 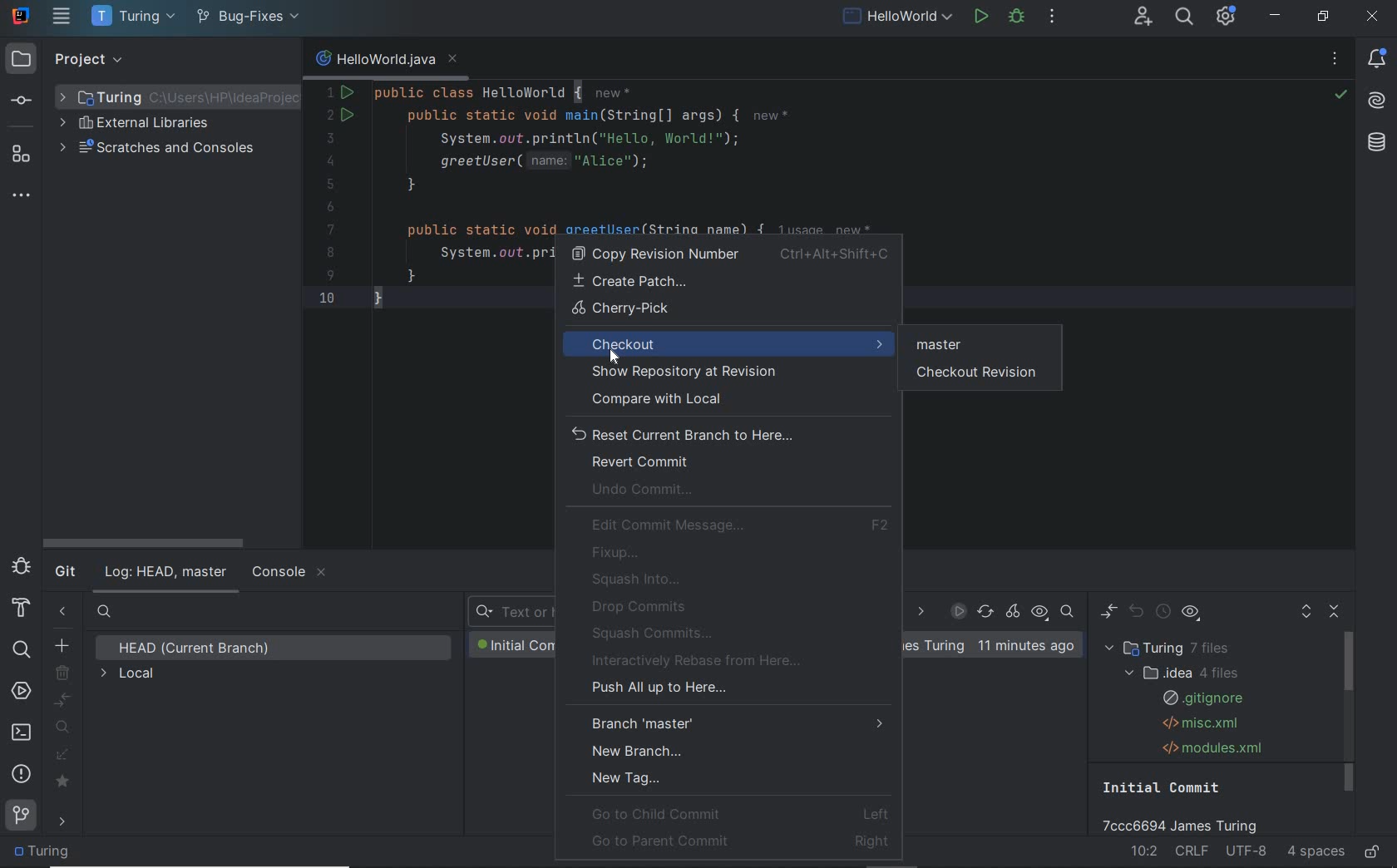 I want to click on no highlighted error, so click(x=1340, y=95).